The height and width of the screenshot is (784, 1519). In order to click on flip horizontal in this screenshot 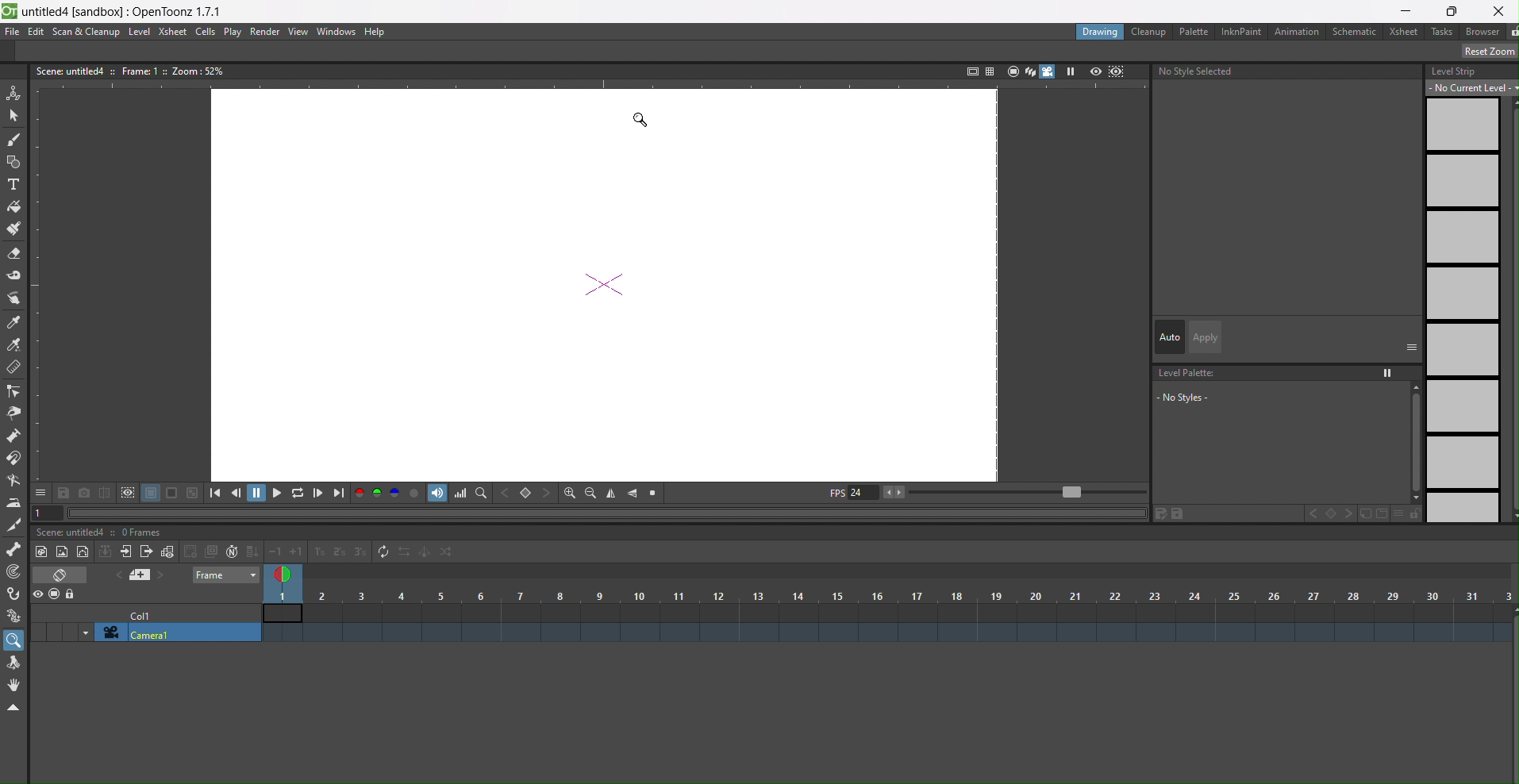, I will do `click(633, 494)`.